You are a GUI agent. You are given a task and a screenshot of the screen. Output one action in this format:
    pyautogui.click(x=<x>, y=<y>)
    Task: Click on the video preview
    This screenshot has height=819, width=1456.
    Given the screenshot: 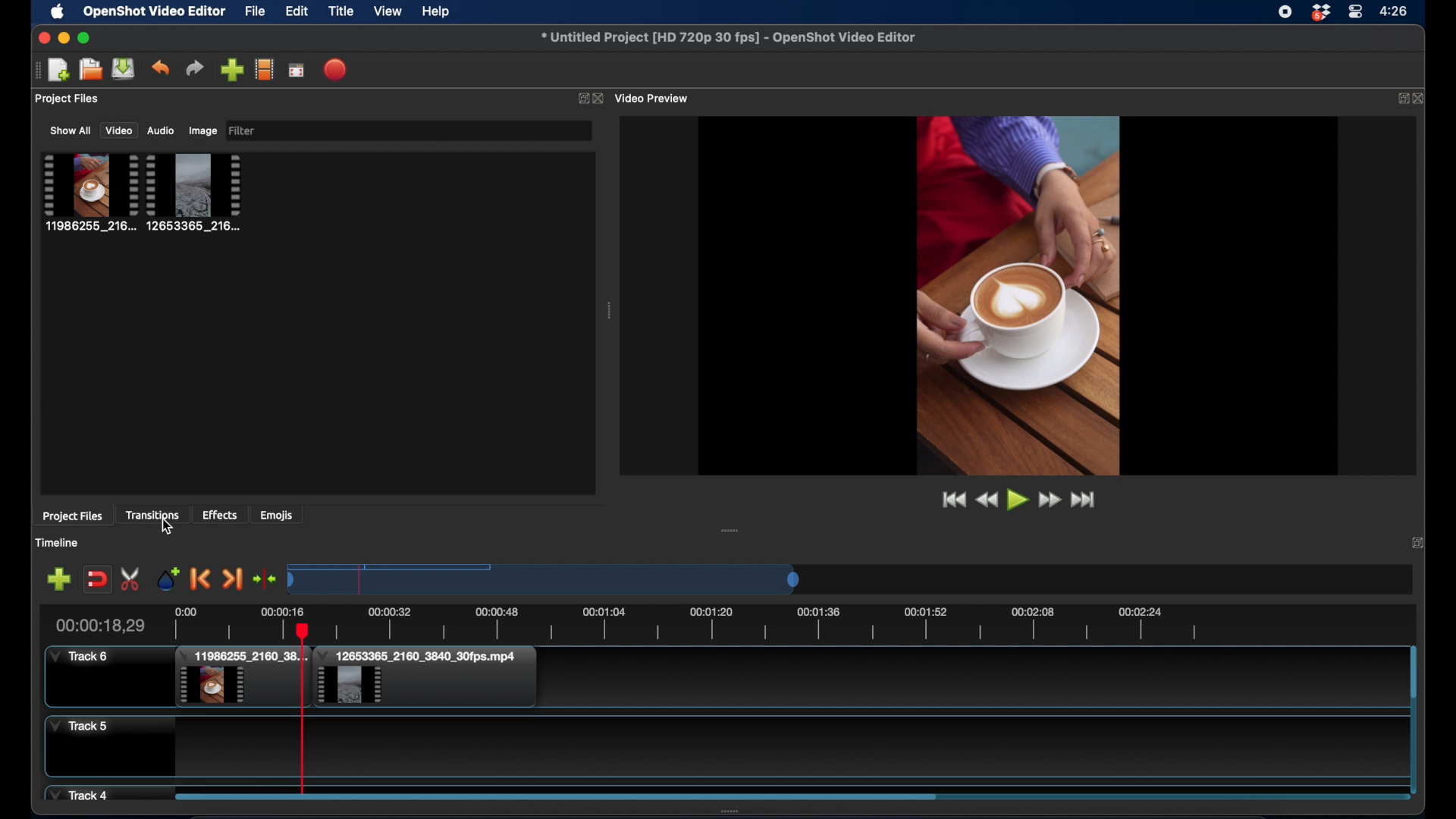 What is the action you would take?
    pyautogui.click(x=654, y=98)
    